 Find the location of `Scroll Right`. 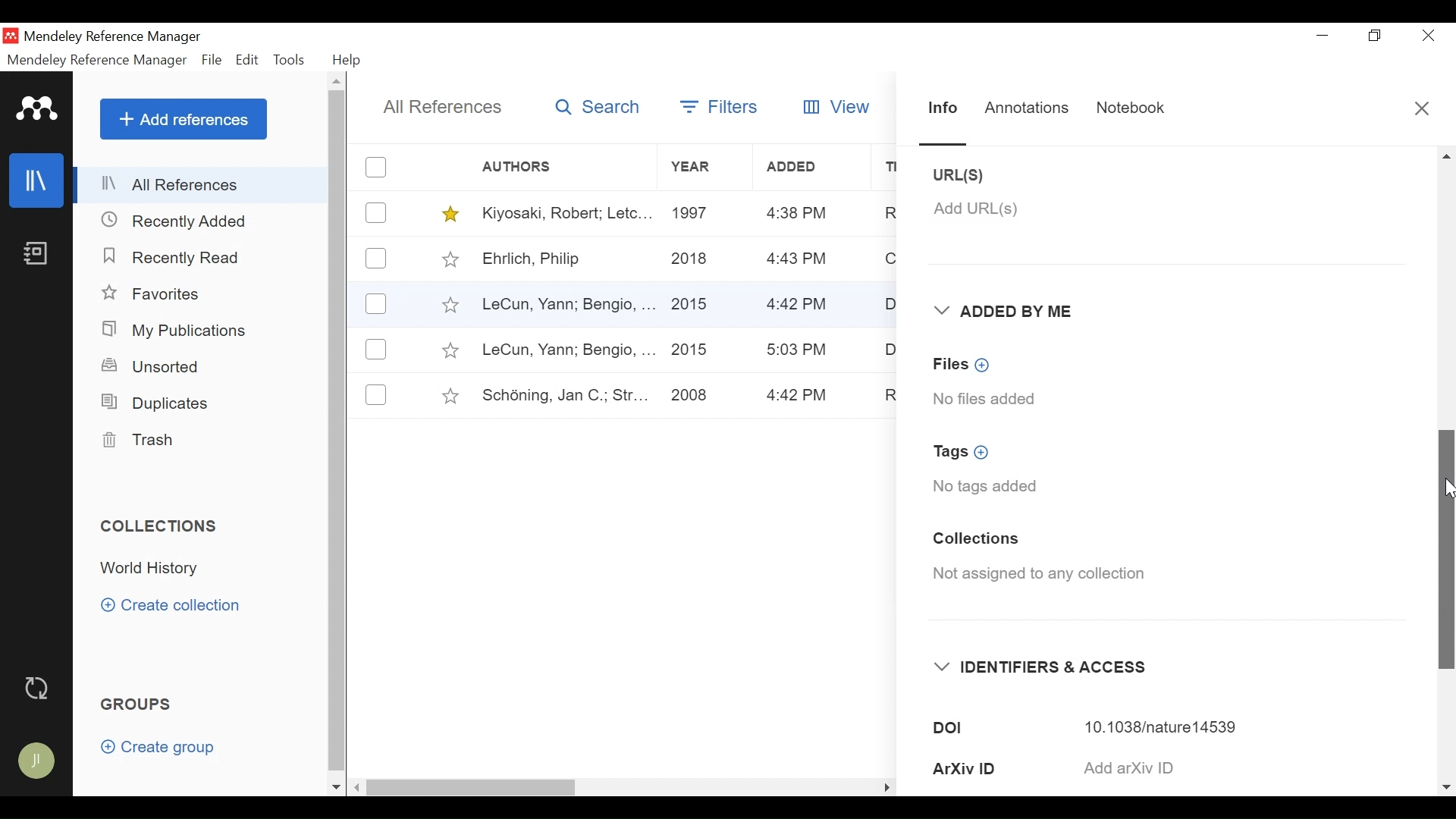

Scroll Right is located at coordinates (358, 788).